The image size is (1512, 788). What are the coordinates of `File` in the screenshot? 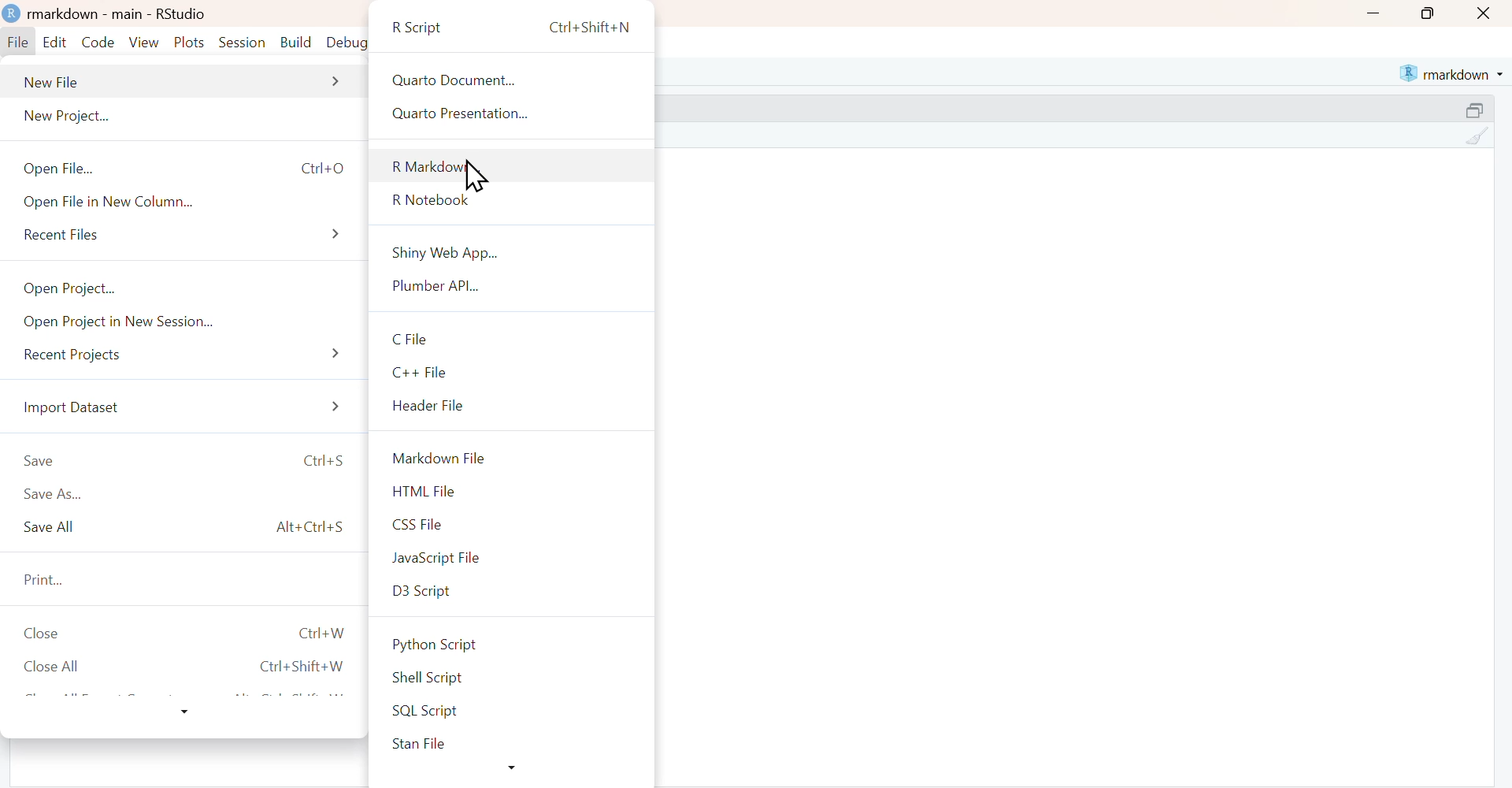 It's located at (19, 43).